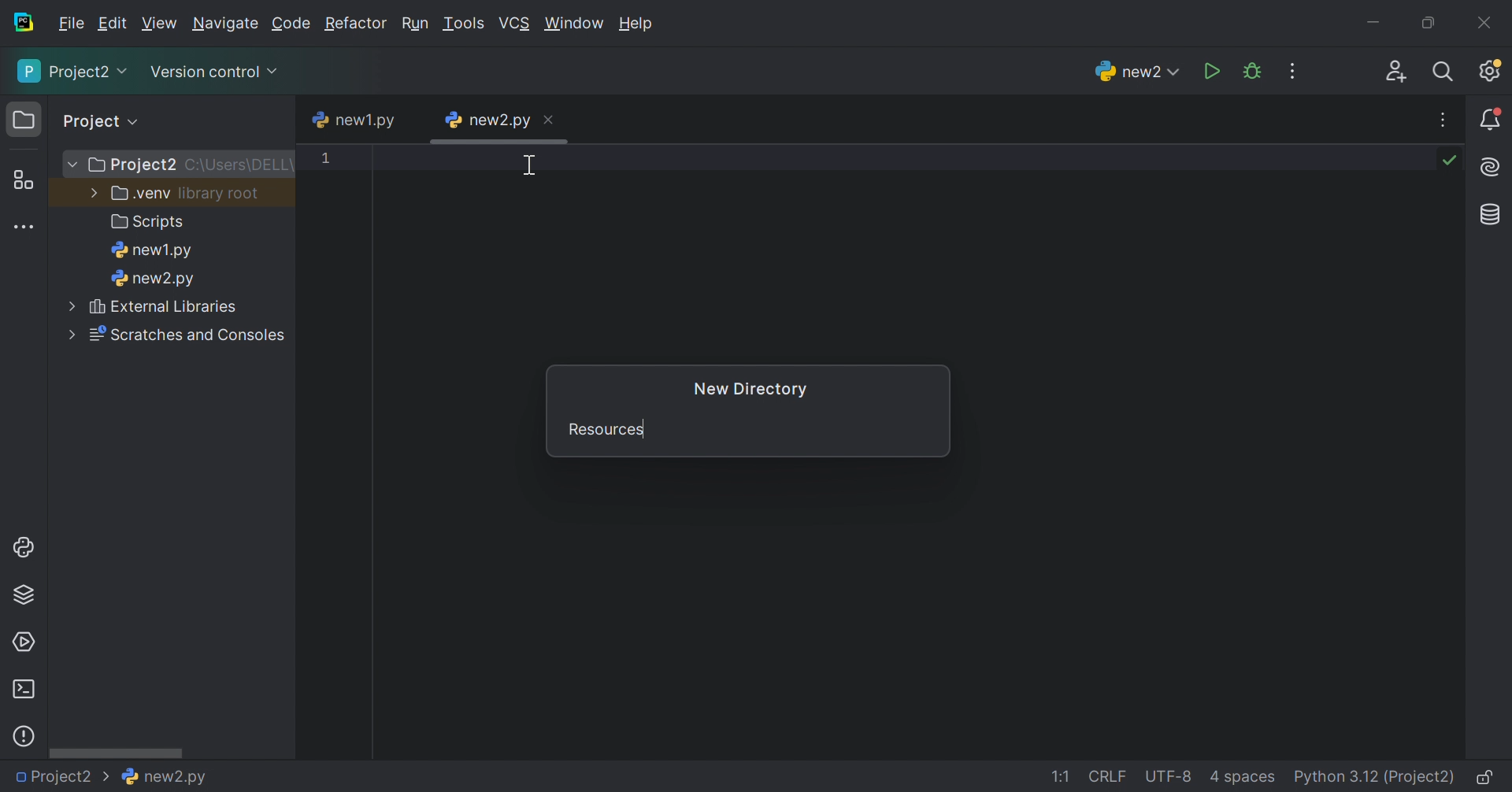 This screenshot has height=792, width=1512. I want to click on Cursor, so click(533, 166).